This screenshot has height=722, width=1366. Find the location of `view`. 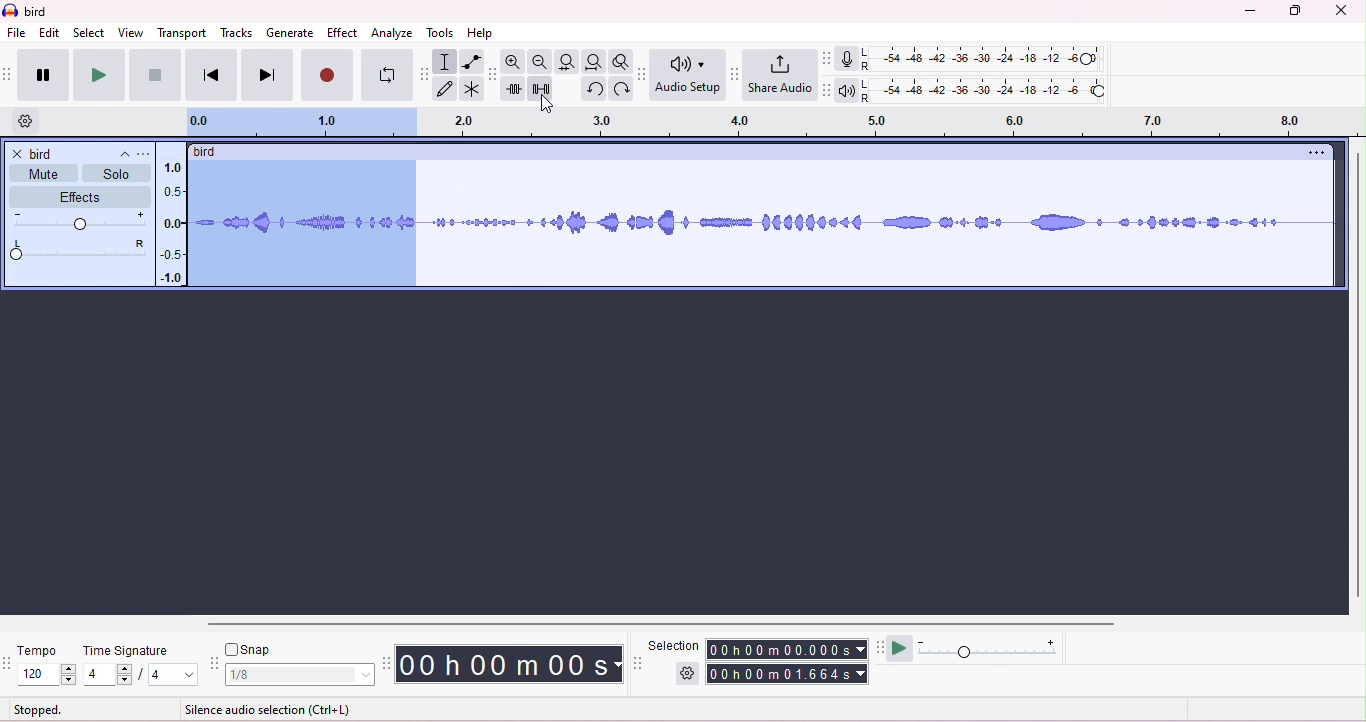

view is located at coordinates (130, 33).